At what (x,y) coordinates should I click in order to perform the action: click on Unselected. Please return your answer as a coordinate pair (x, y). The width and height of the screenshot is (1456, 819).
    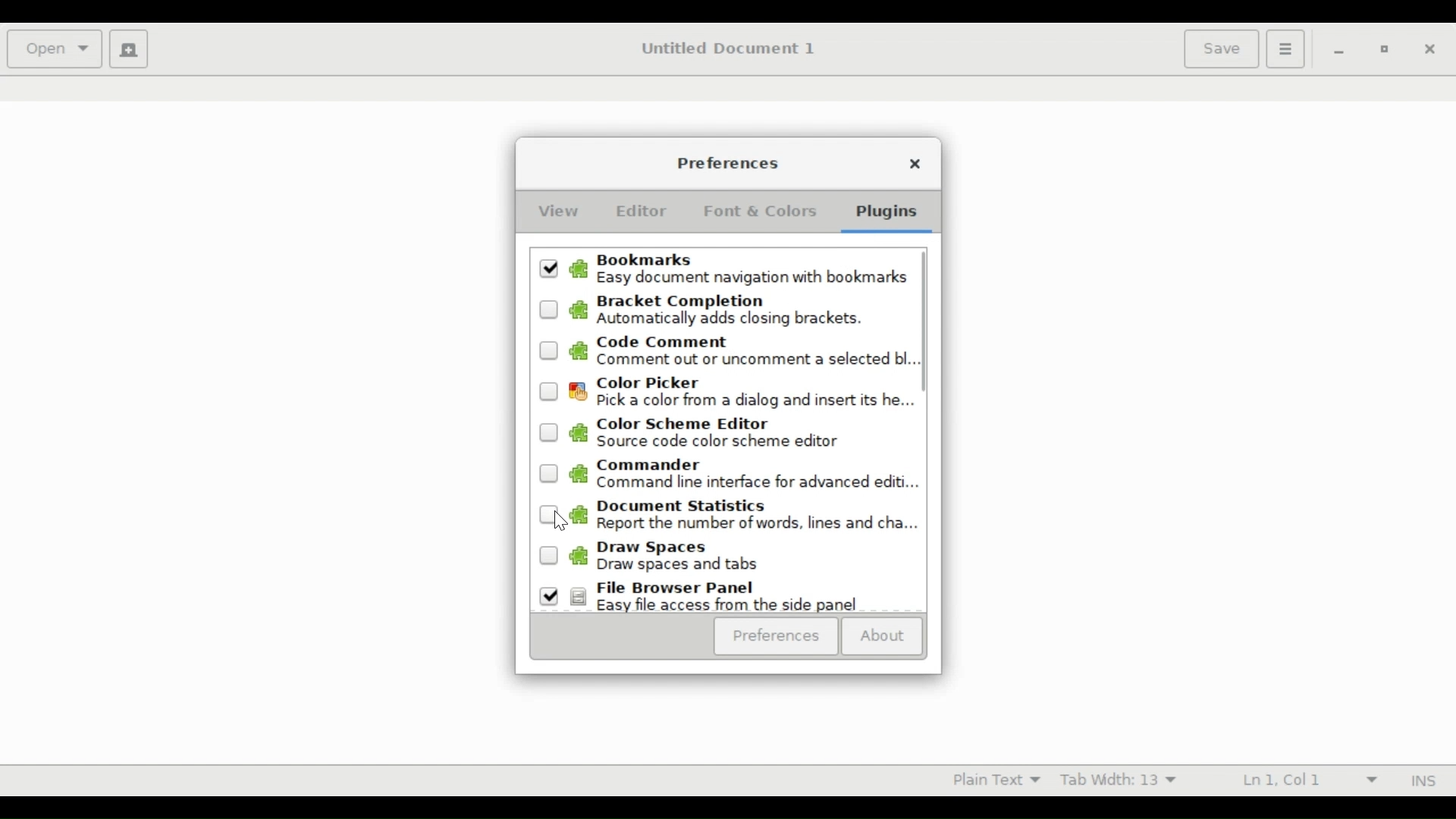
    Looking at the image, I should click on (548, 391).